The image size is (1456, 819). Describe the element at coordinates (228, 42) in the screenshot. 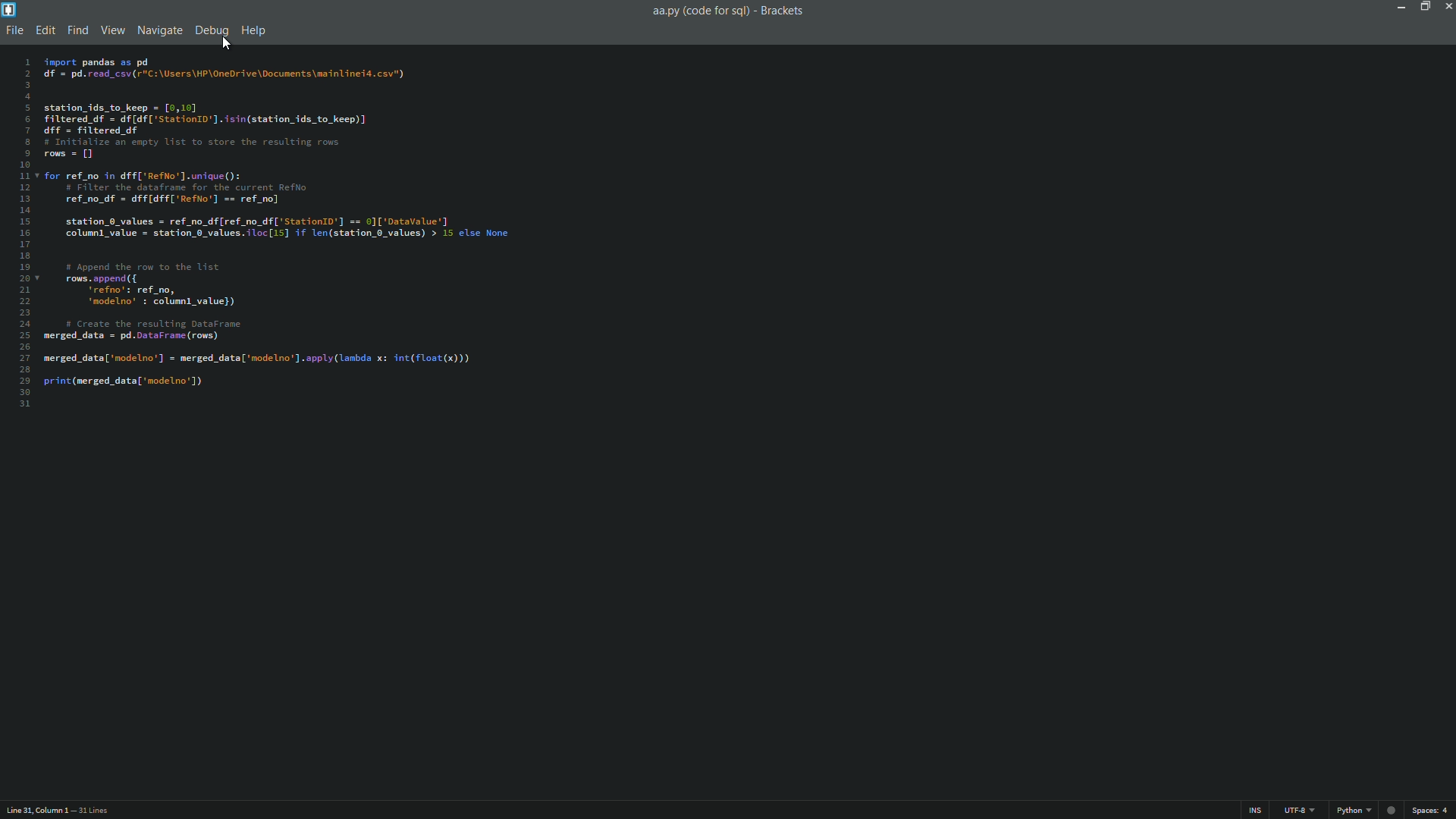

I see `cursor` at that location.